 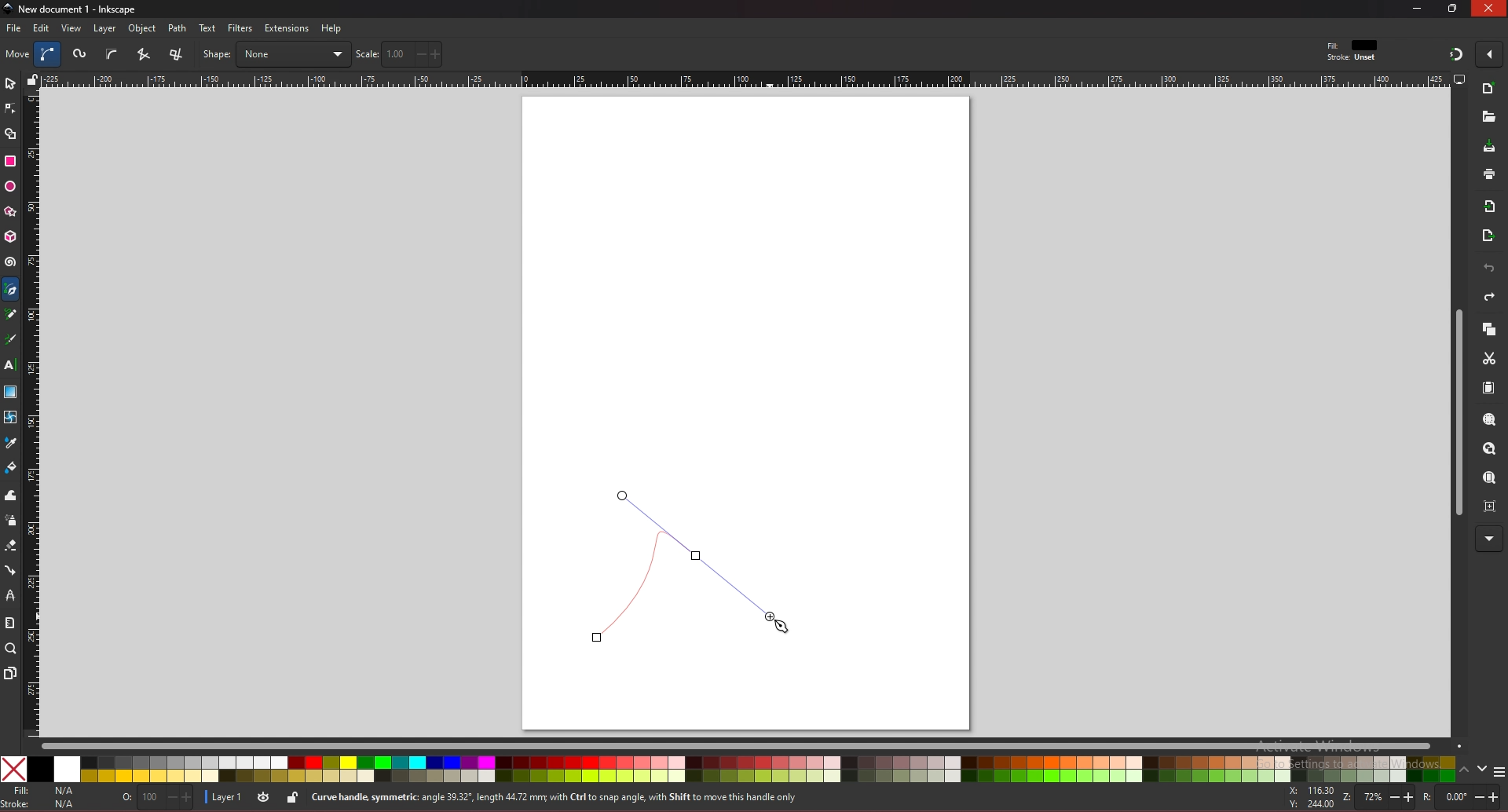 What do you see at coordinates (32, 79) in the screenshot?
I see `lock guides` at bounding box center [32, 79].